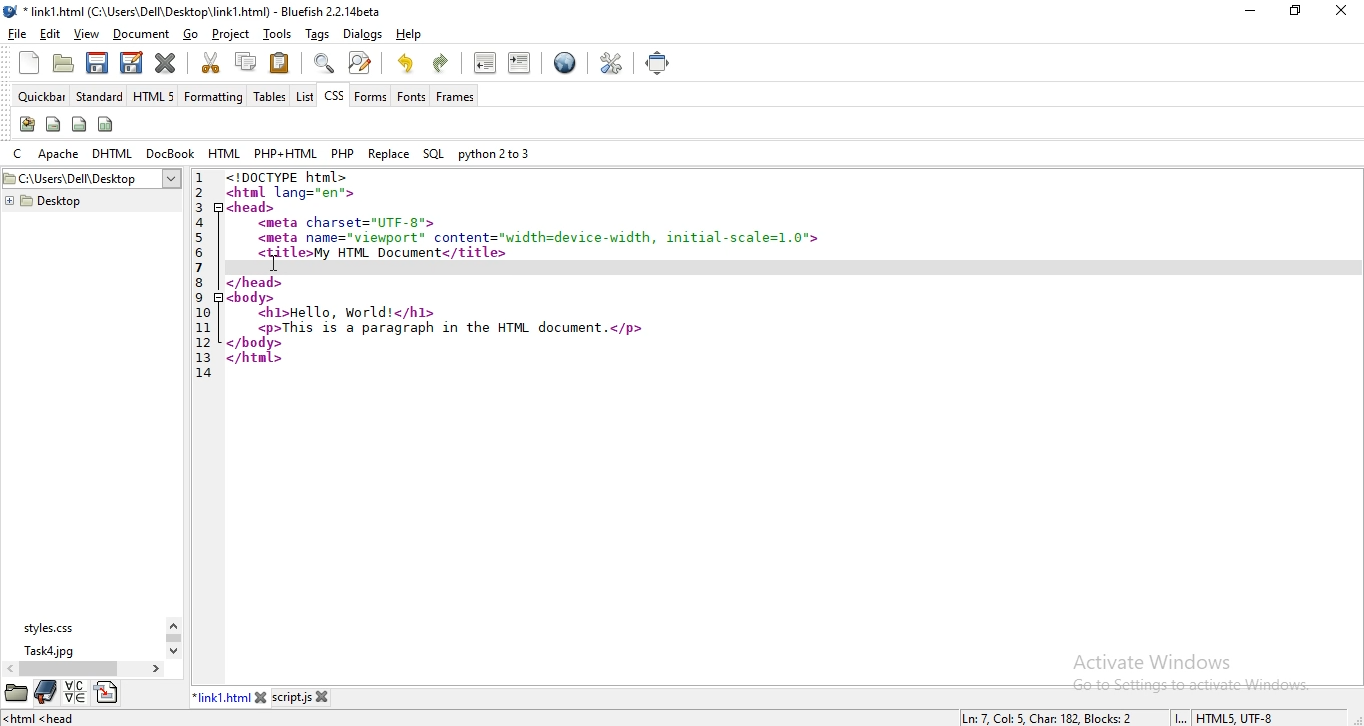  I want to click on styles, so click(54, 626).